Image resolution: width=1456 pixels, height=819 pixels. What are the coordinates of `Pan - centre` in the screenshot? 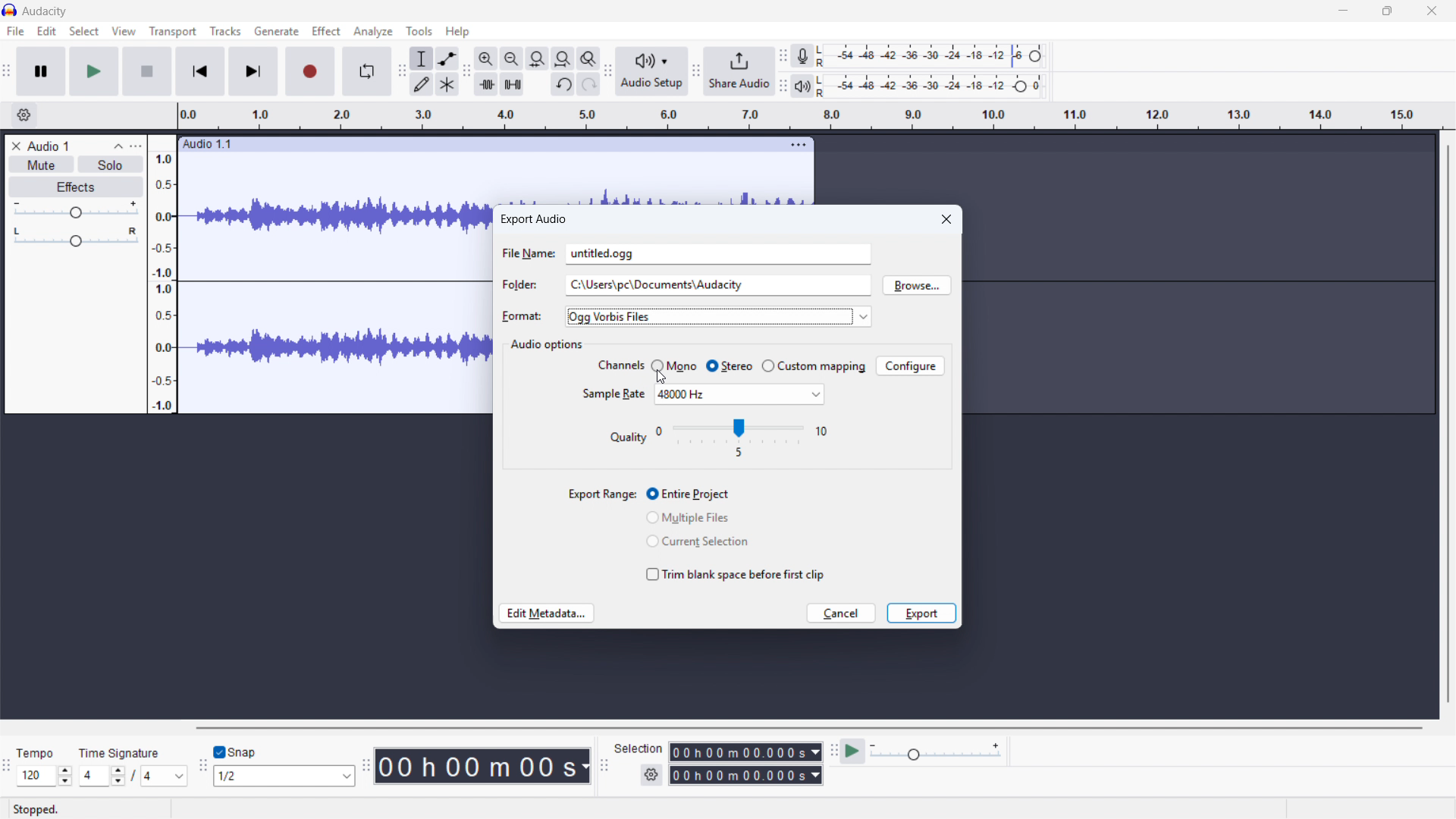 It's located at (76, 238).